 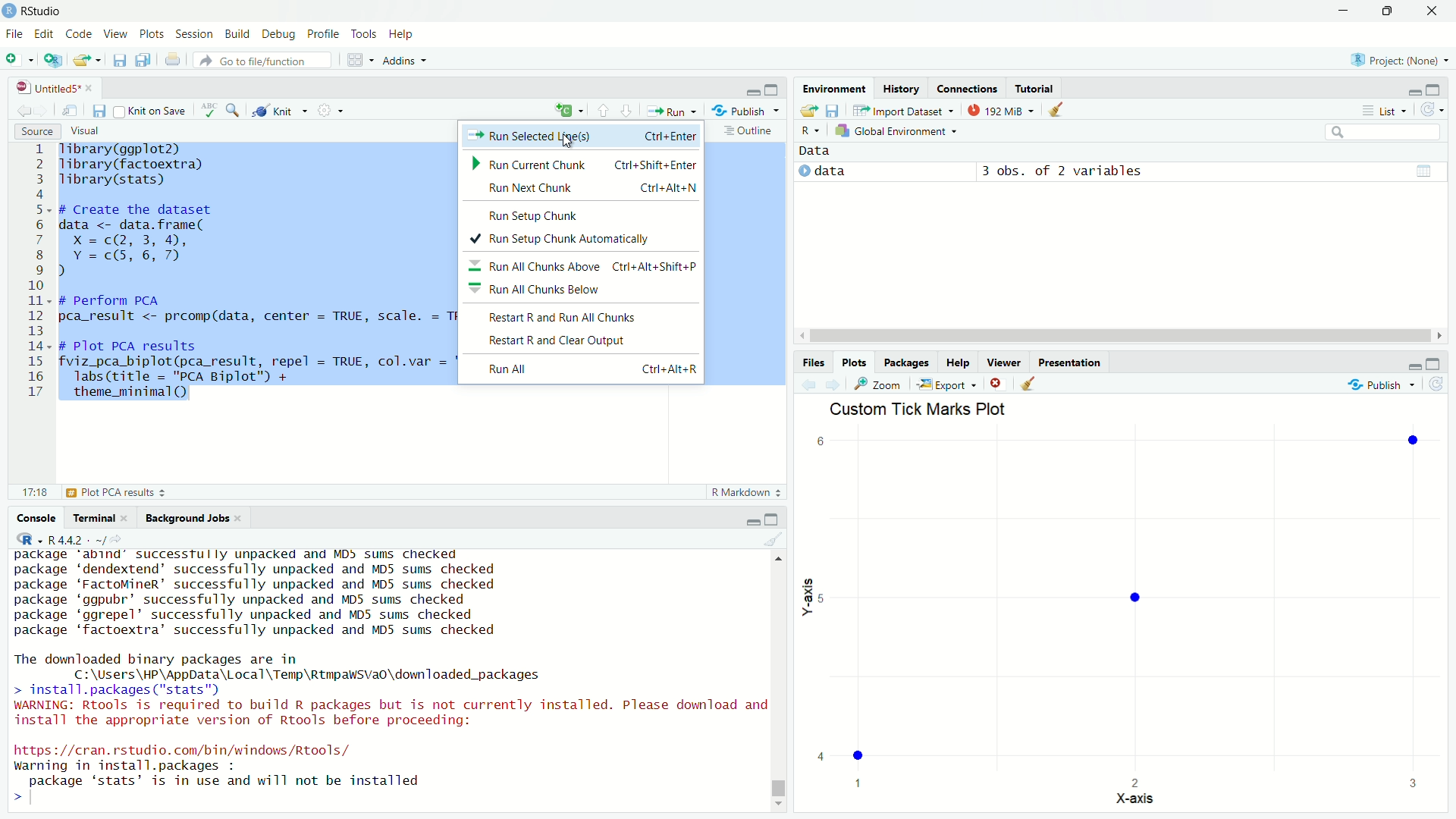 I want to click on maximize, so click(x=774, y=519).